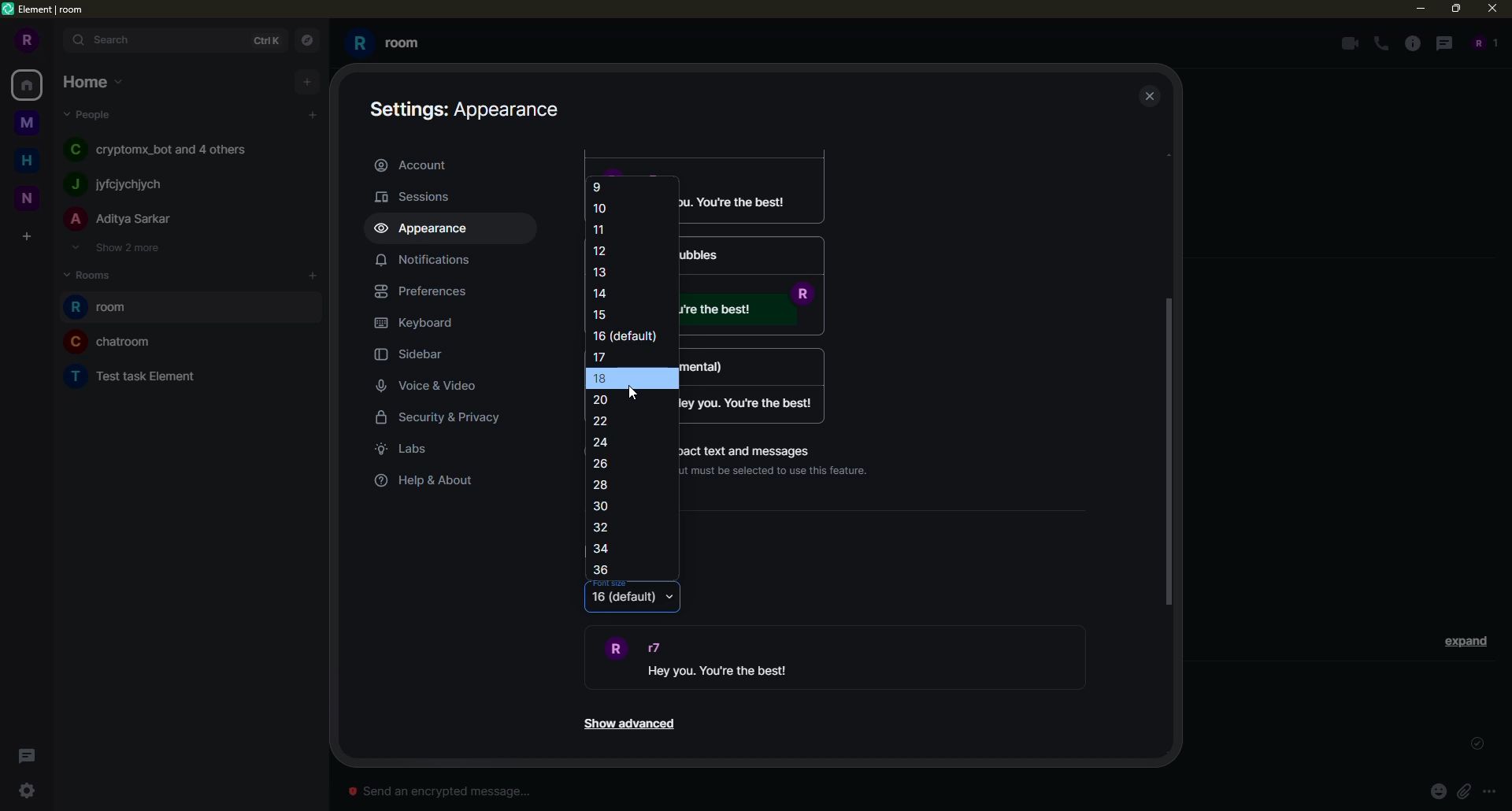 The width and height of the screenshot is (1512, 811). Describe the element at coordinates (432, 387) in the screenshot. I see `voice & video` at that location.